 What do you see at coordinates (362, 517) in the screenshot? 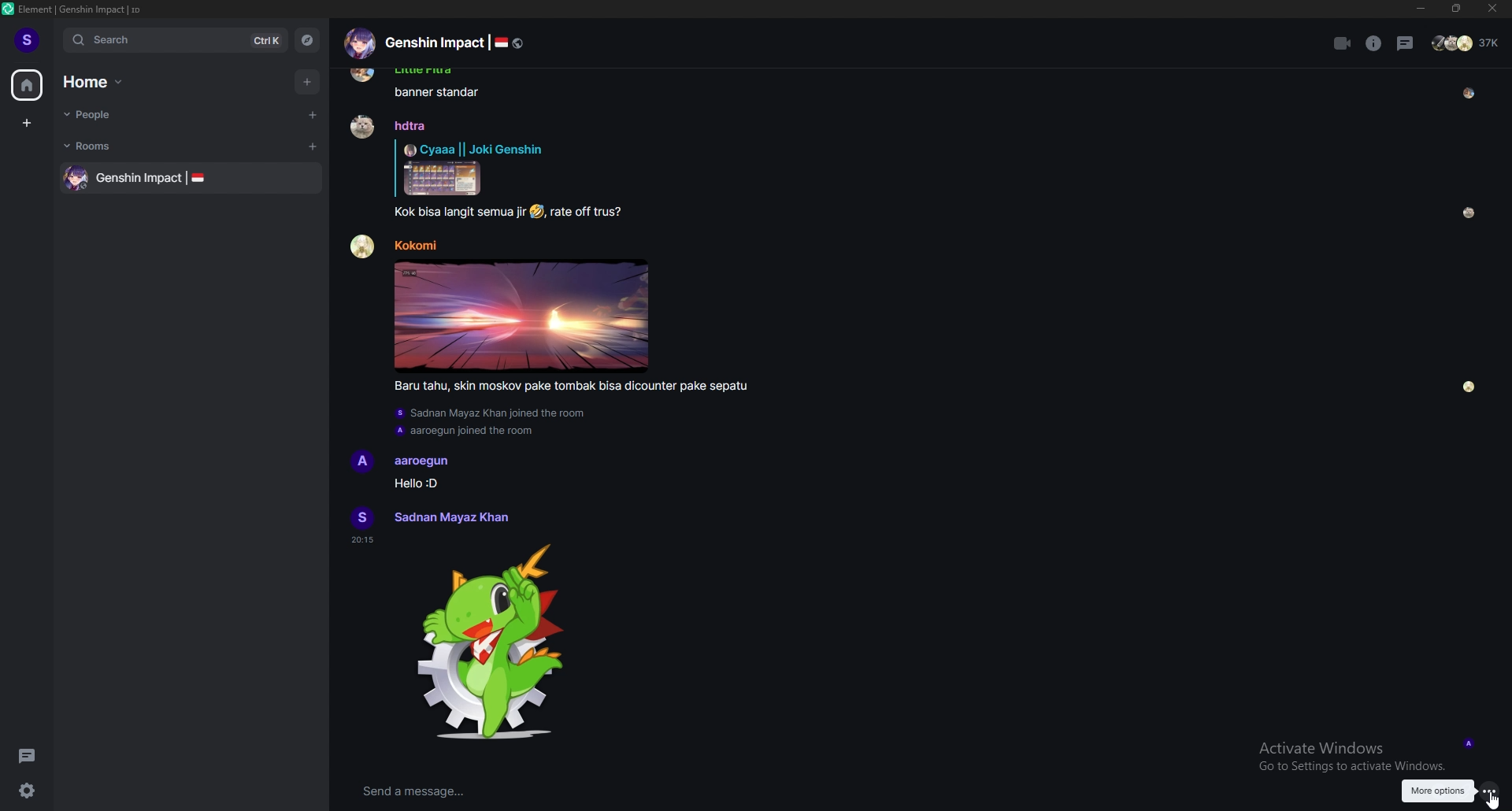
I see `Profile picture` at bounding box center [362, 517].